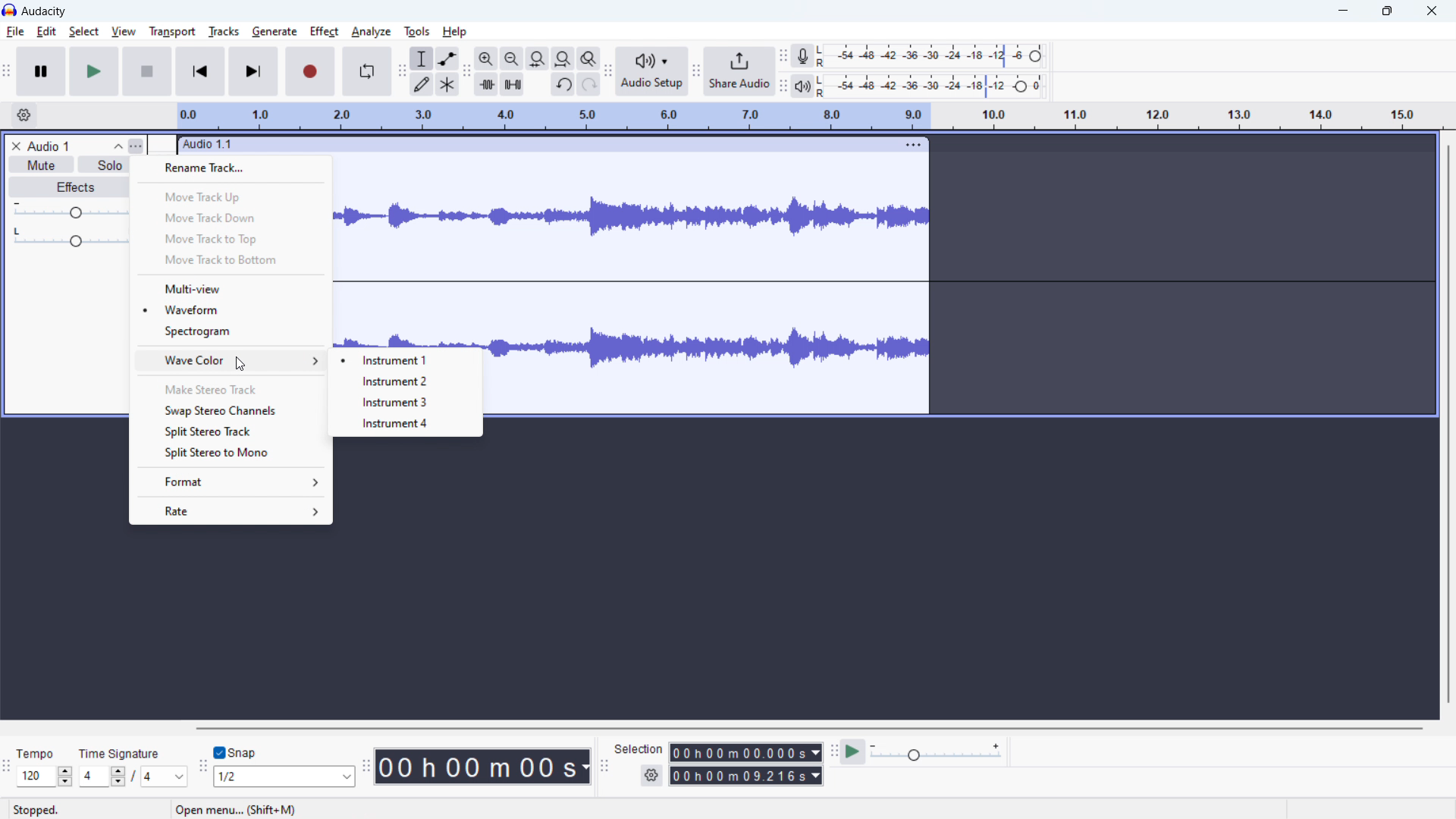 This screenshot has width=1456, height=819. Describe the element at coordinates (651, 775) in the screenshot. I see `selection settings` at that location.